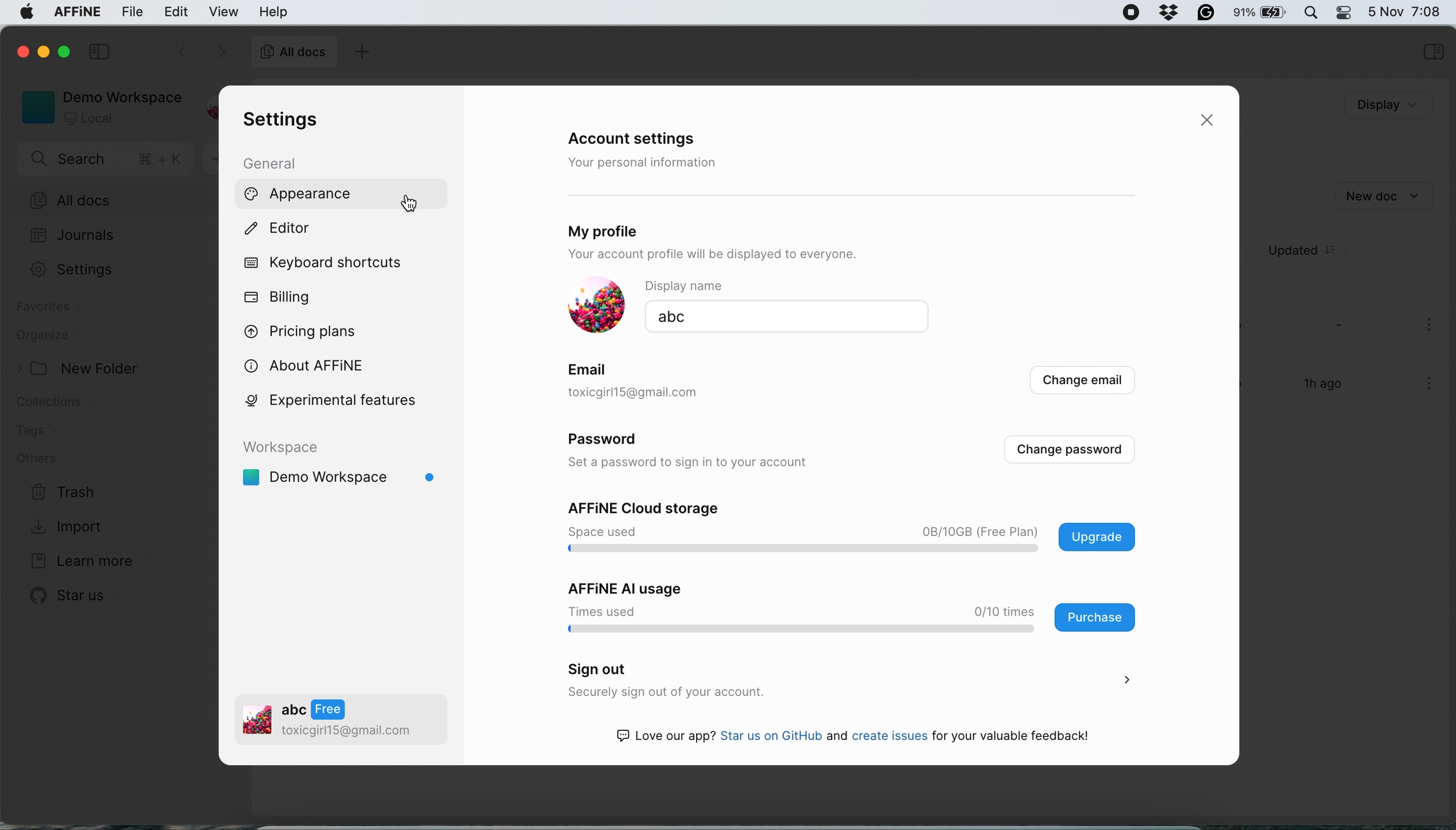 The image size is (1456, 830). What do you see at coordinates (340, 403) in the screenshot?
I see `experimental features` at bounding box center [340, 403].